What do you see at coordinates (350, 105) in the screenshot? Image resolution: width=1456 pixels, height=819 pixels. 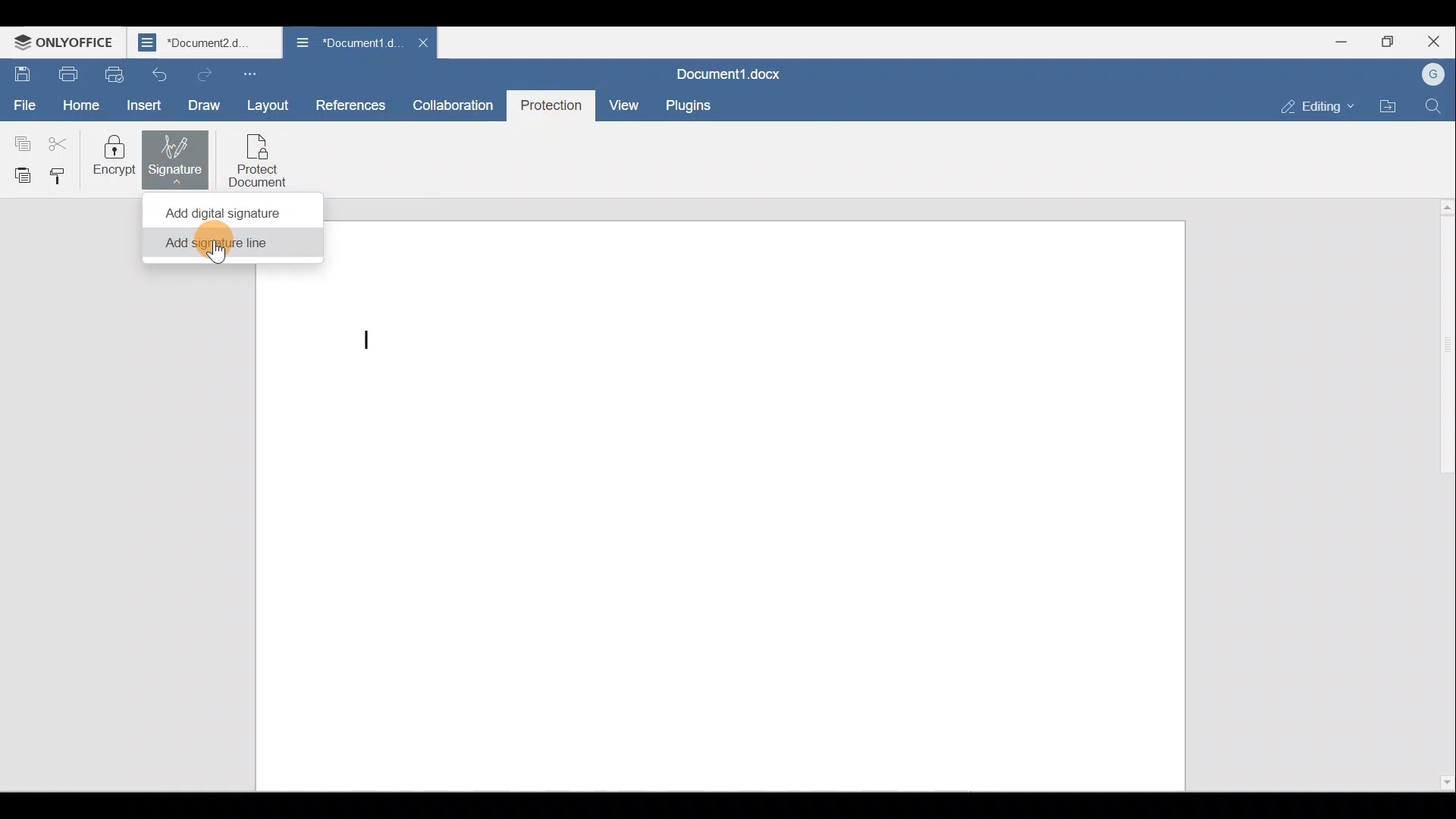 I see `References` at bounding box center [350, 105].